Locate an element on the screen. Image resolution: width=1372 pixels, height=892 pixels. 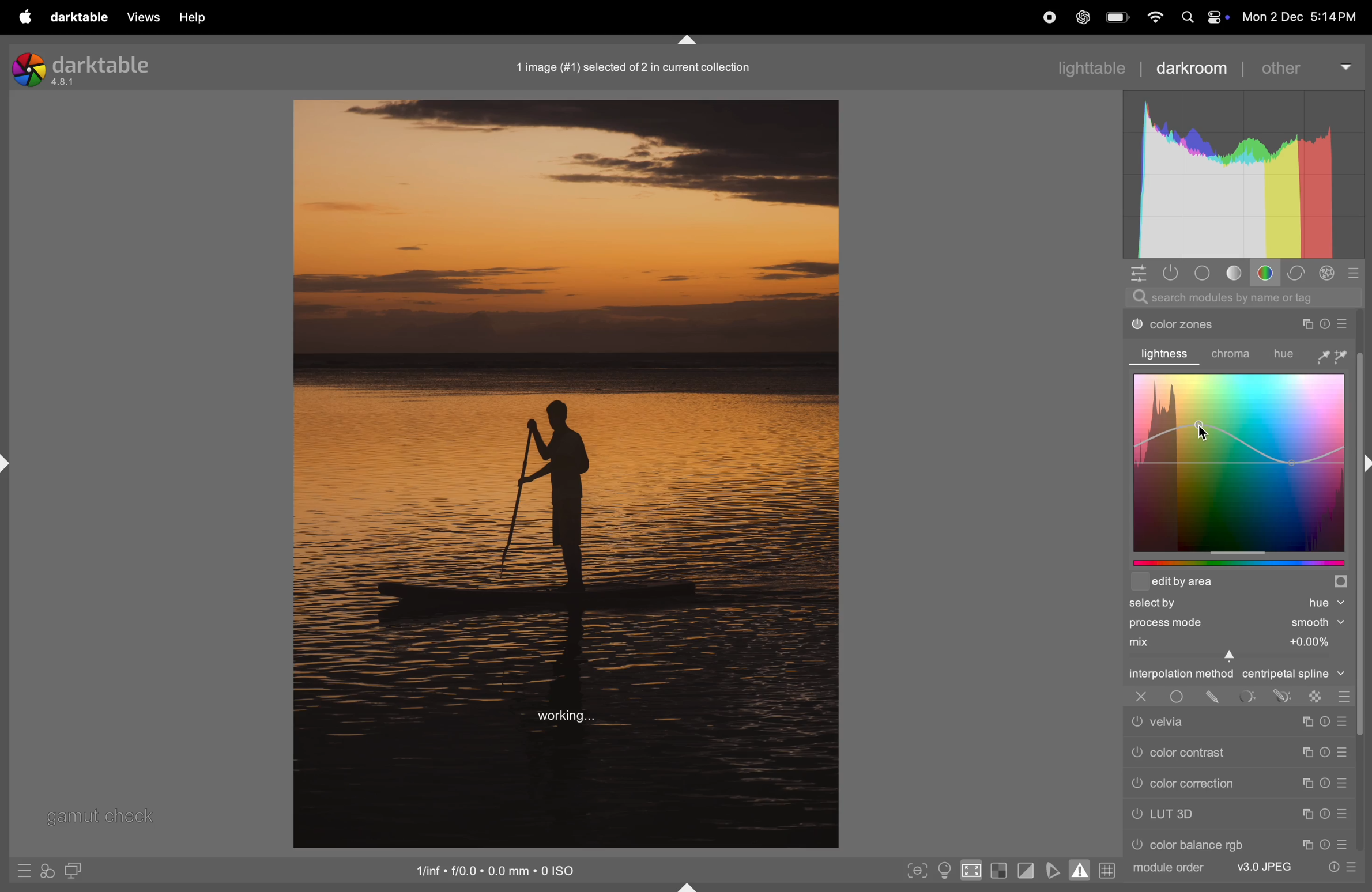
Timer is located at coordinates (1325, 753).